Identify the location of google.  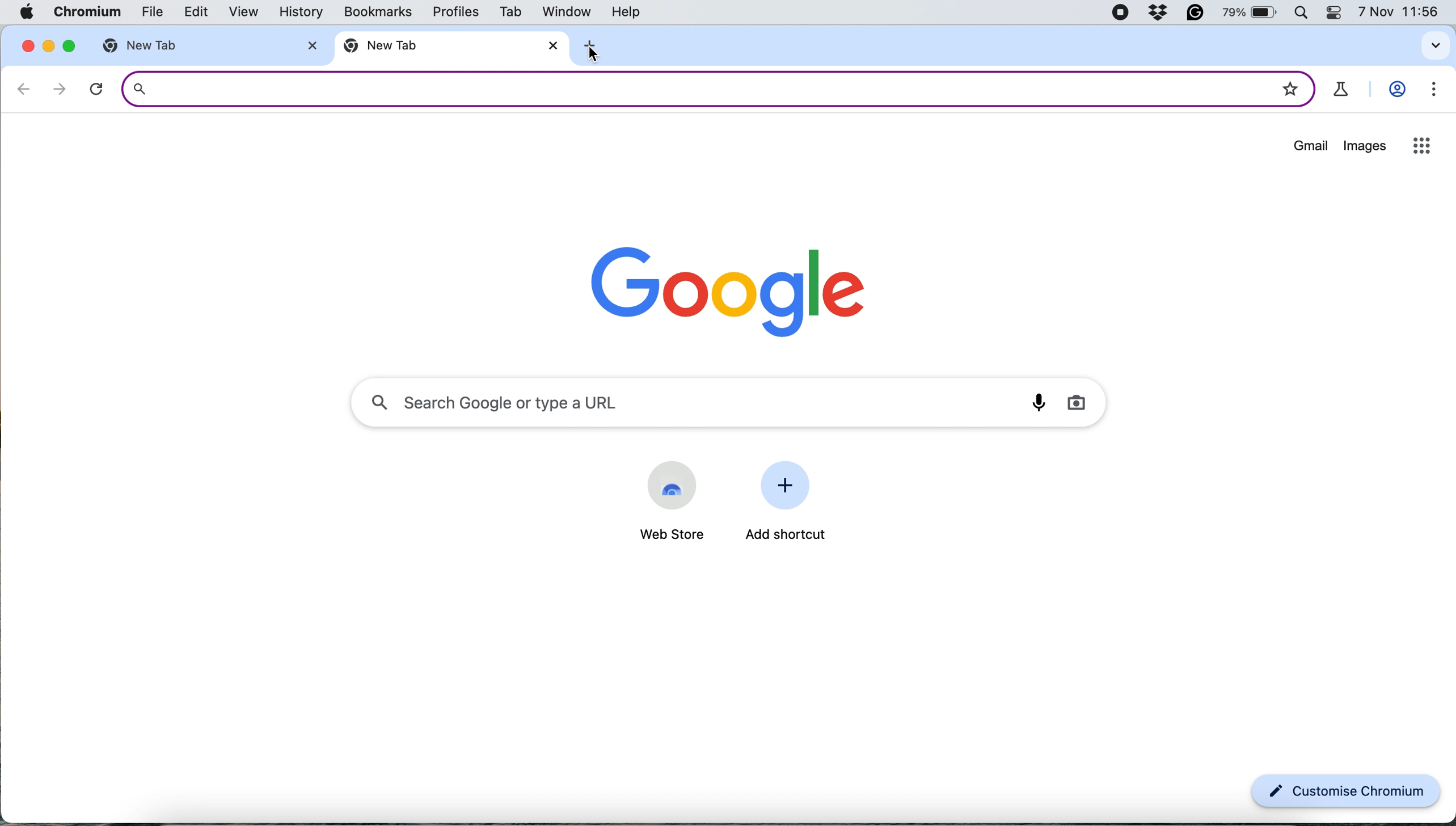
(731, 287).